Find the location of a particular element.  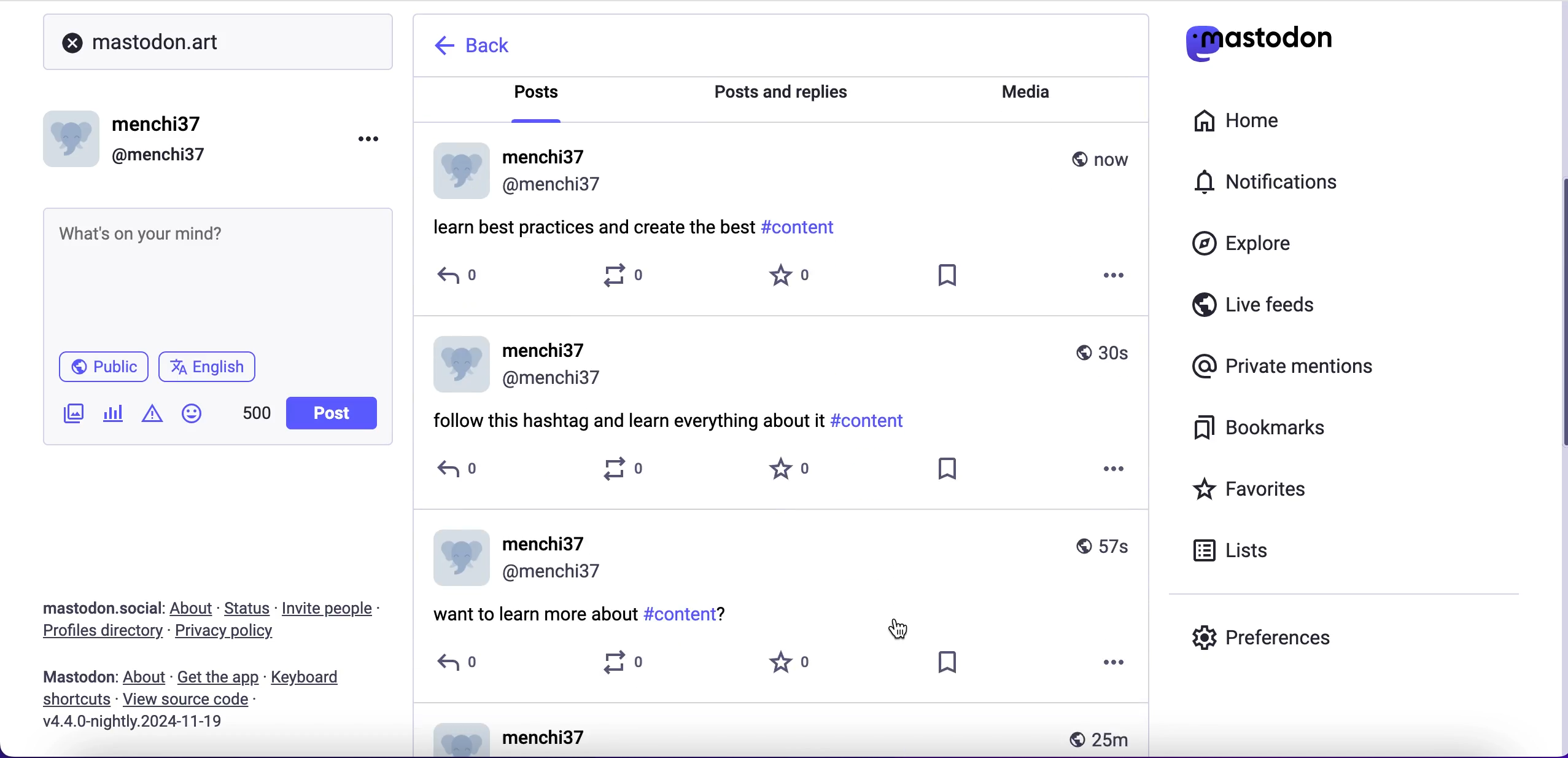

about is located at coordinates (194, 609).